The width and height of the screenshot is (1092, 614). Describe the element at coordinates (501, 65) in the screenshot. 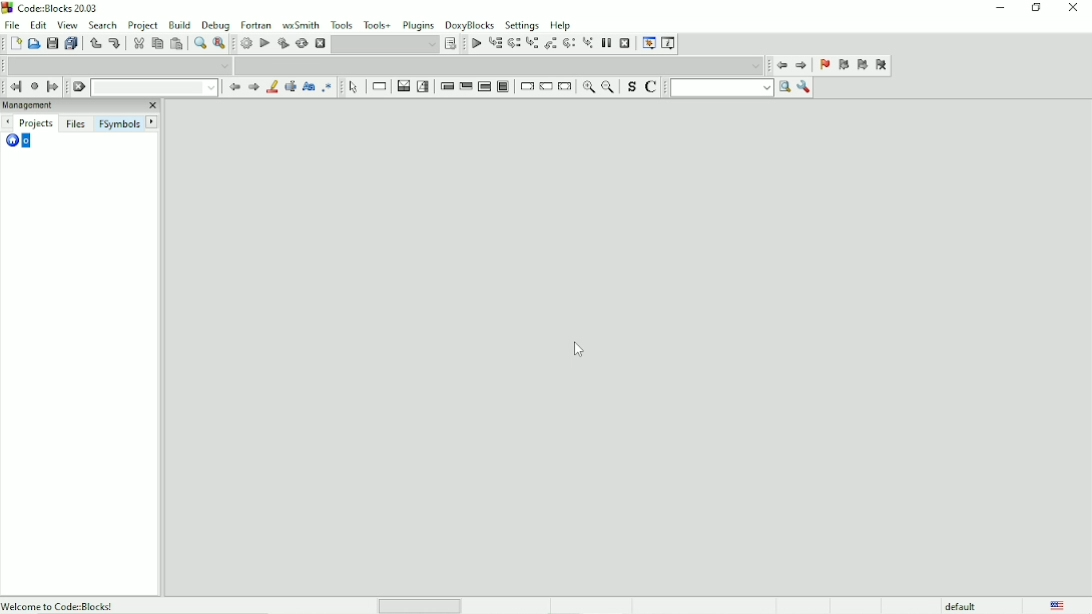

I see `Drop down` at that location.